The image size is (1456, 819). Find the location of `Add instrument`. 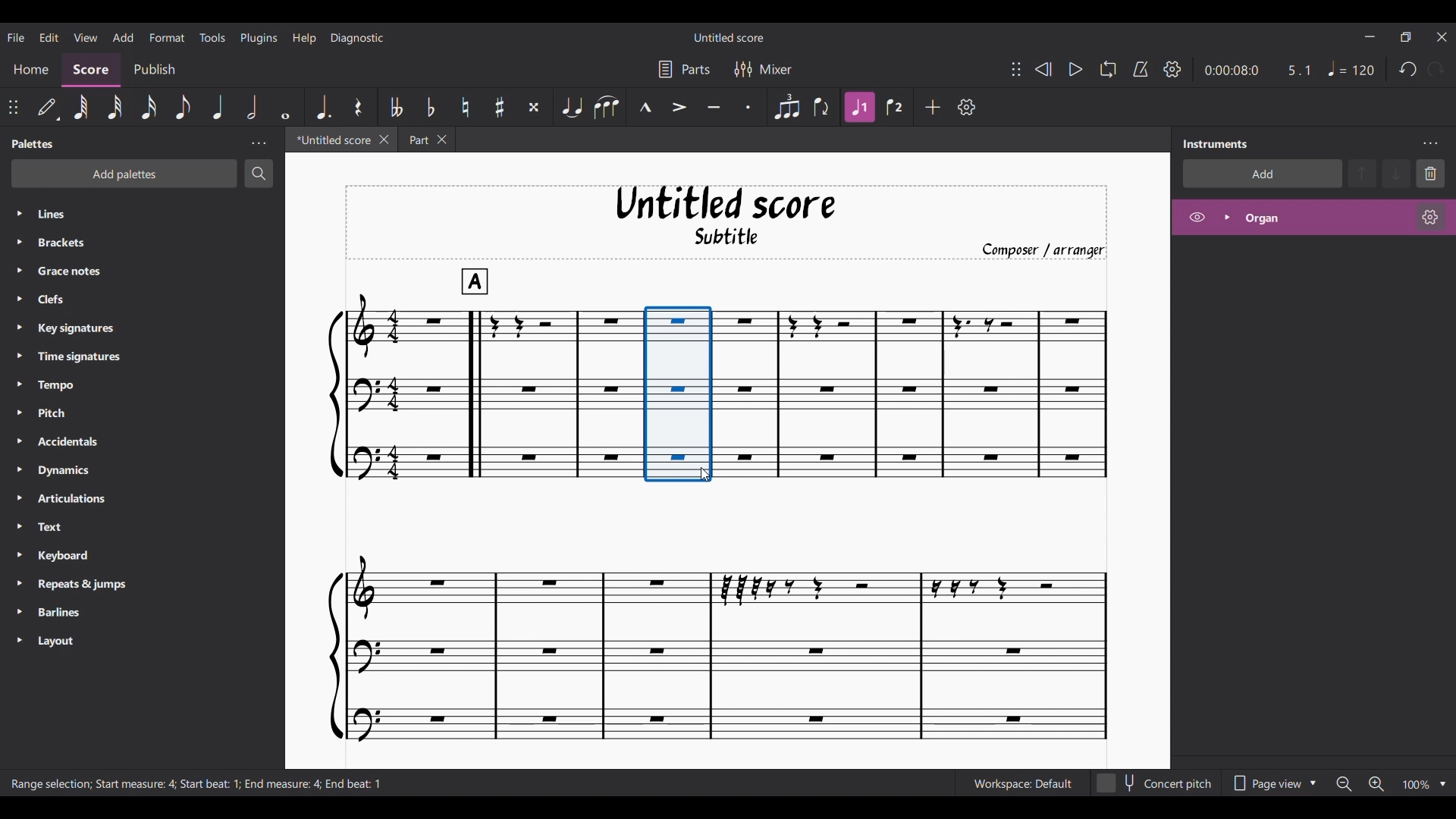

Add instrument is located at coordinates (1262, 174).